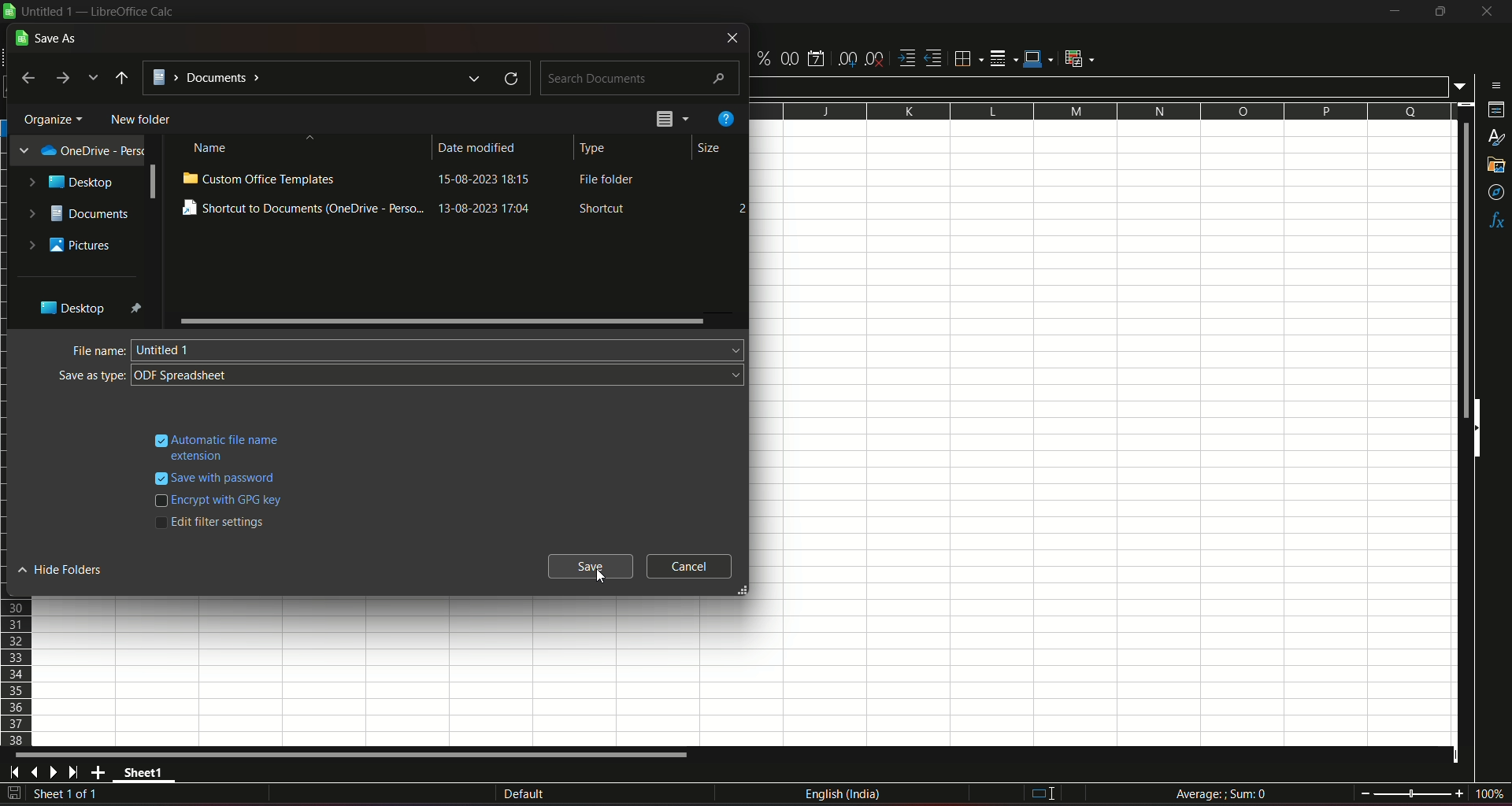 The image size is (1512, 806). What do you see at coordinates (138, 309) in the screenshot?
I see `pin` at bounding box center [138, 309].